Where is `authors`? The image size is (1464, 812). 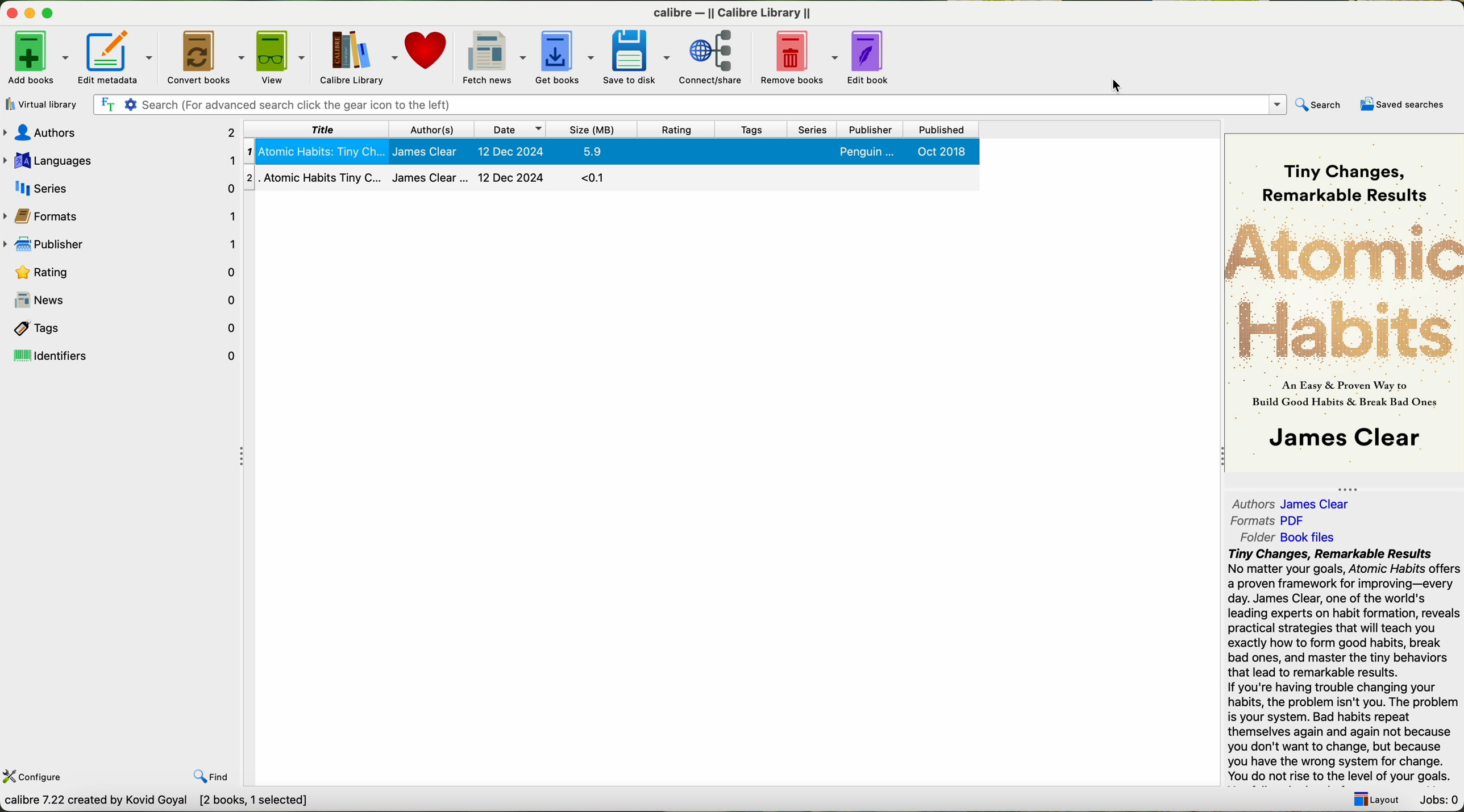
authors is located at coordinates (421, 129).